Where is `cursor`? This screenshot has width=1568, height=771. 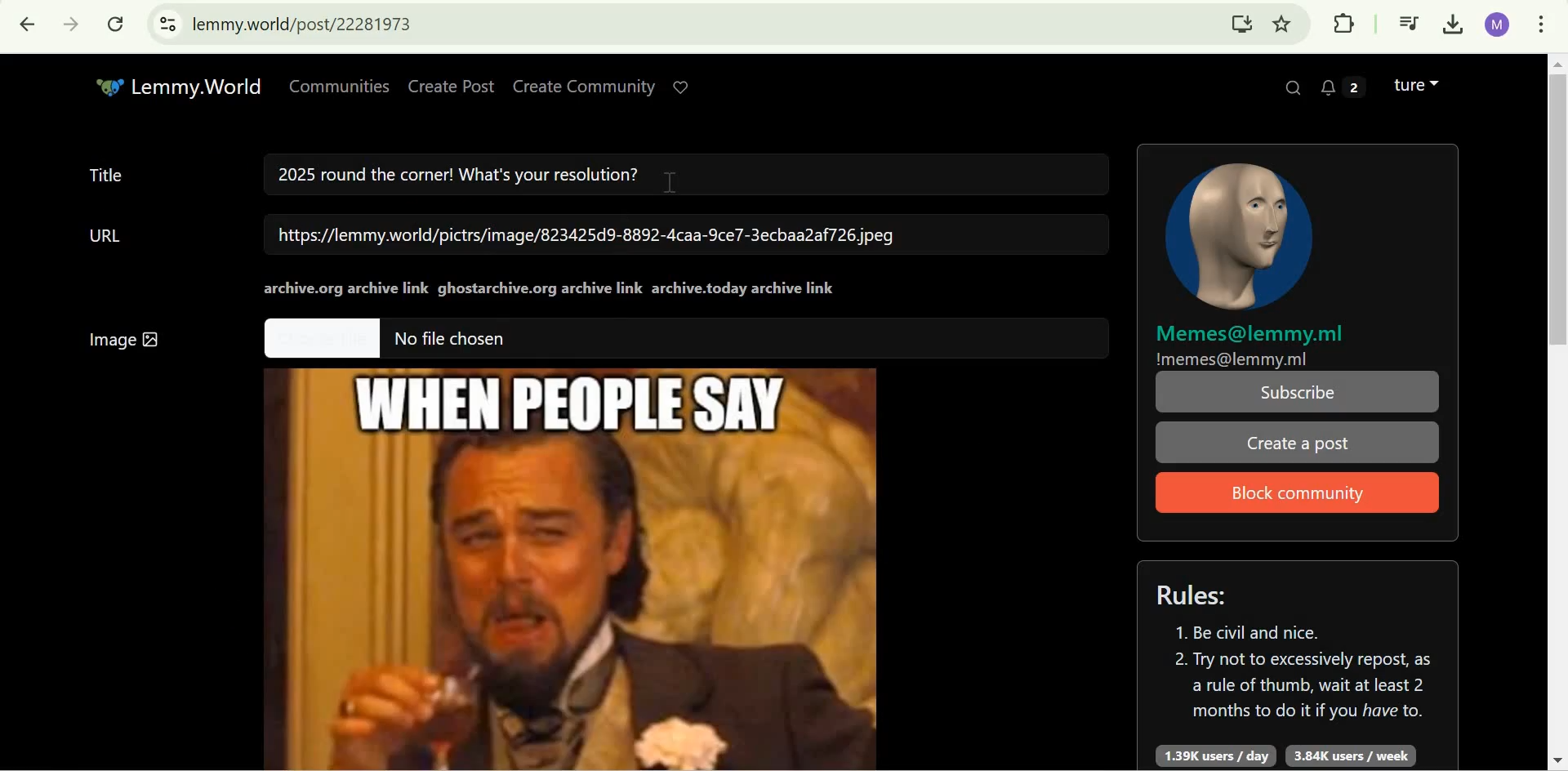
cursor is located at coordinates (670, 180).